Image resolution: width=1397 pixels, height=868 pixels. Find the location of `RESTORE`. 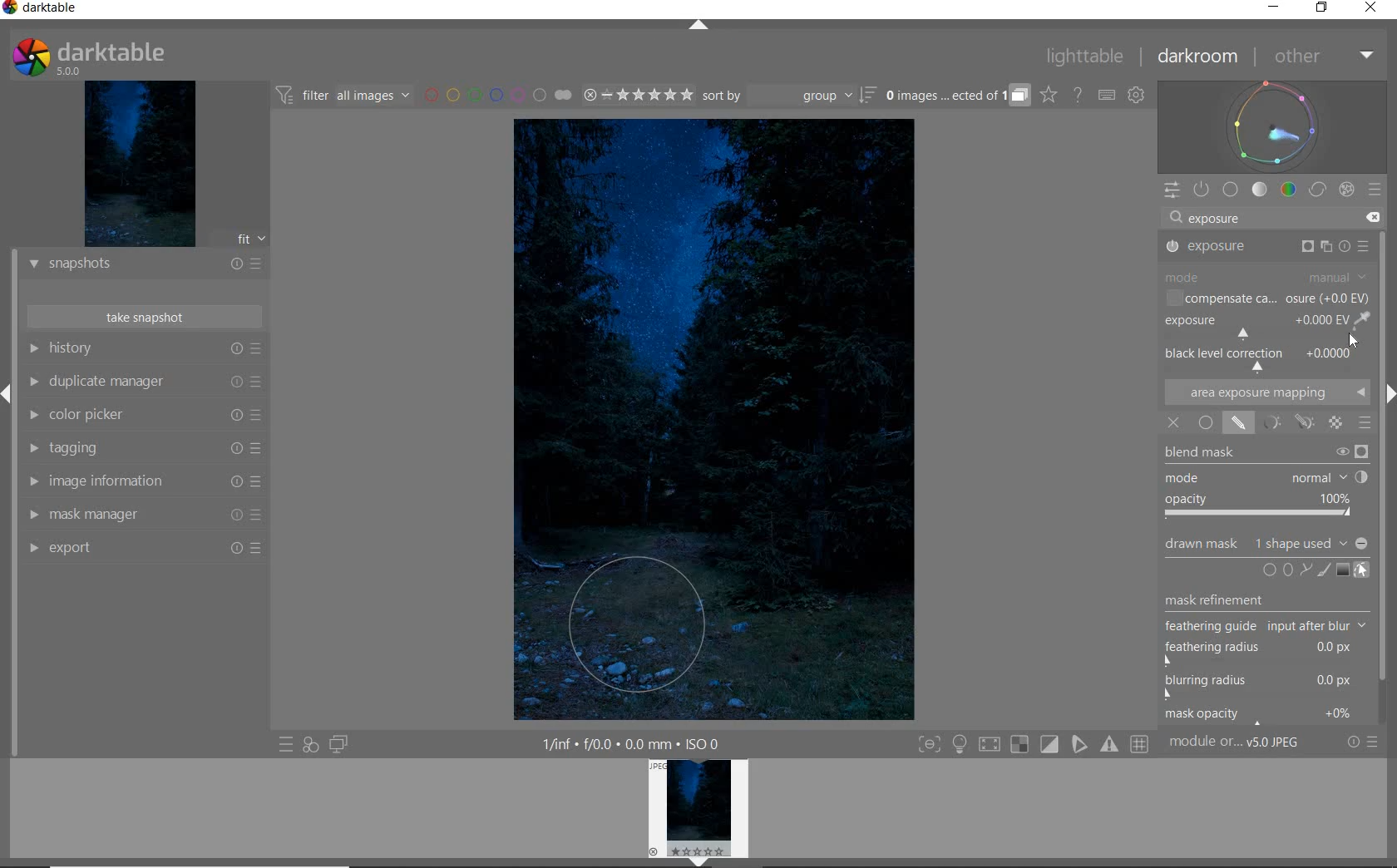

RESTORE is located at coordinates (1322, 8).